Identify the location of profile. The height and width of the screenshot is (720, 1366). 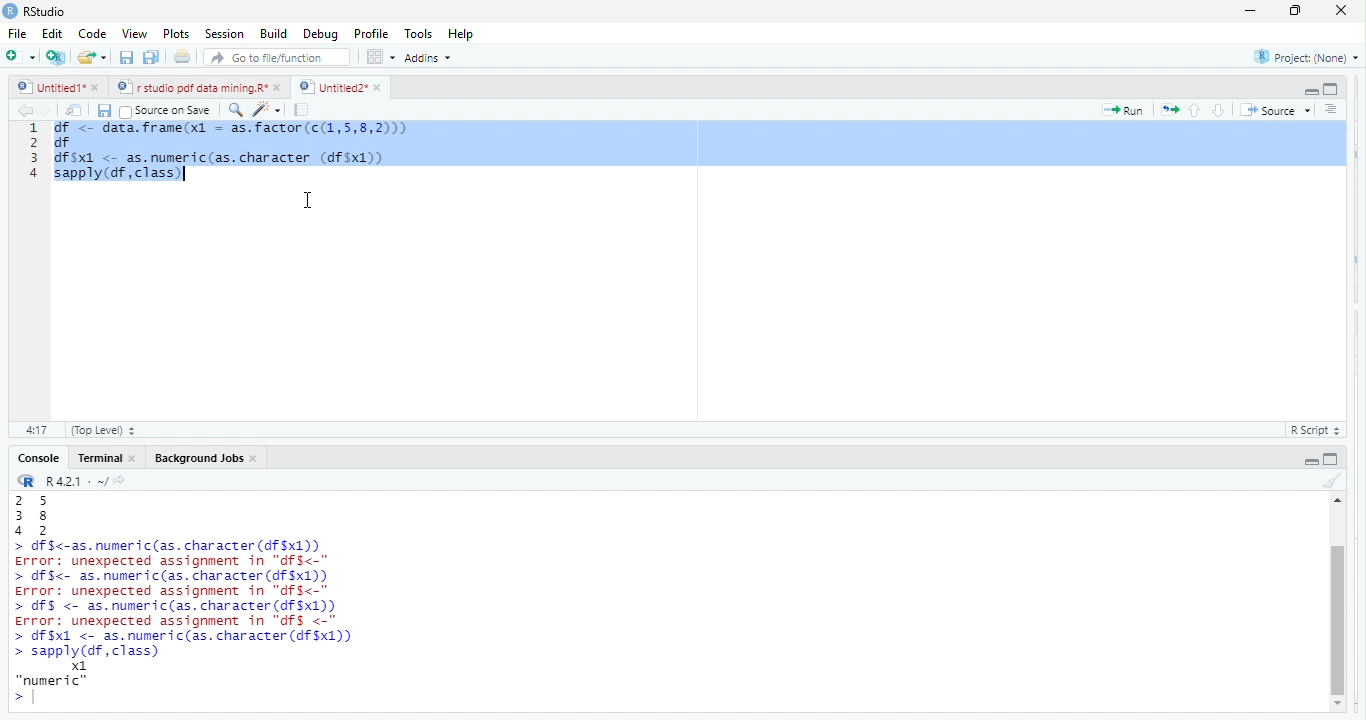
(370, 32).